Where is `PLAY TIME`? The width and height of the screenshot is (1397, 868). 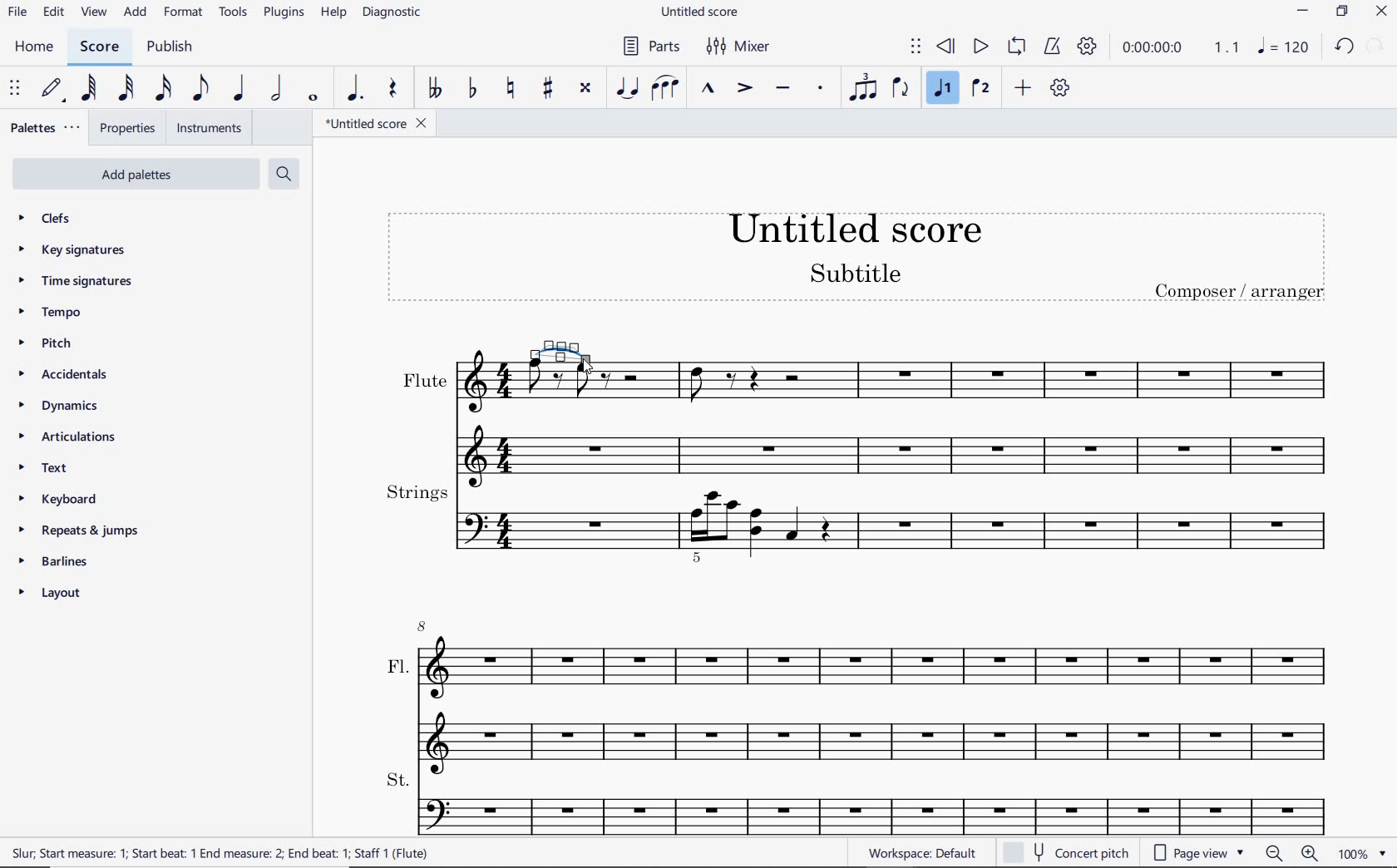
PLAY TIME is located at coordinates (1182, 50).